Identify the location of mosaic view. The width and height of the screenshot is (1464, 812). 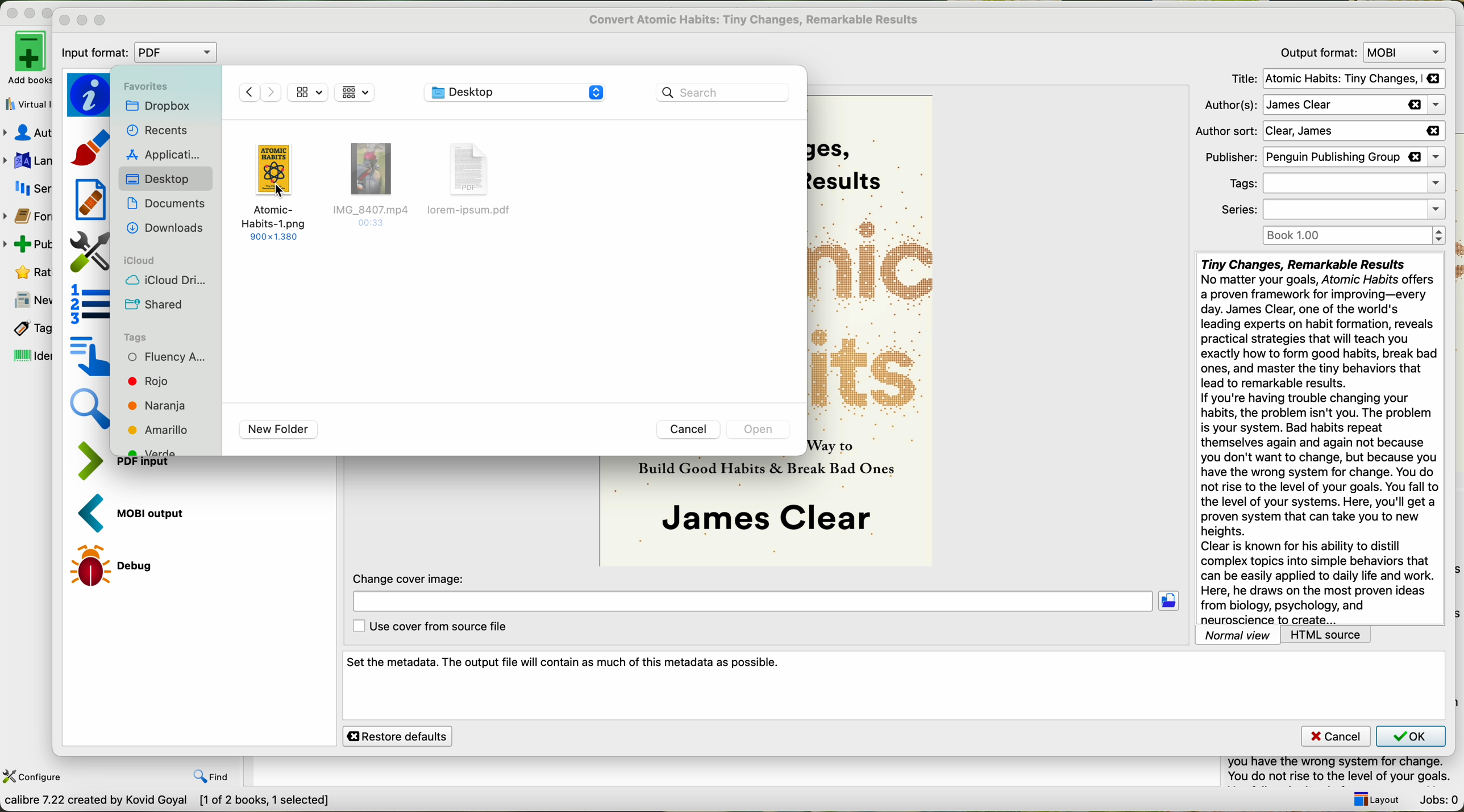
(309, 92).